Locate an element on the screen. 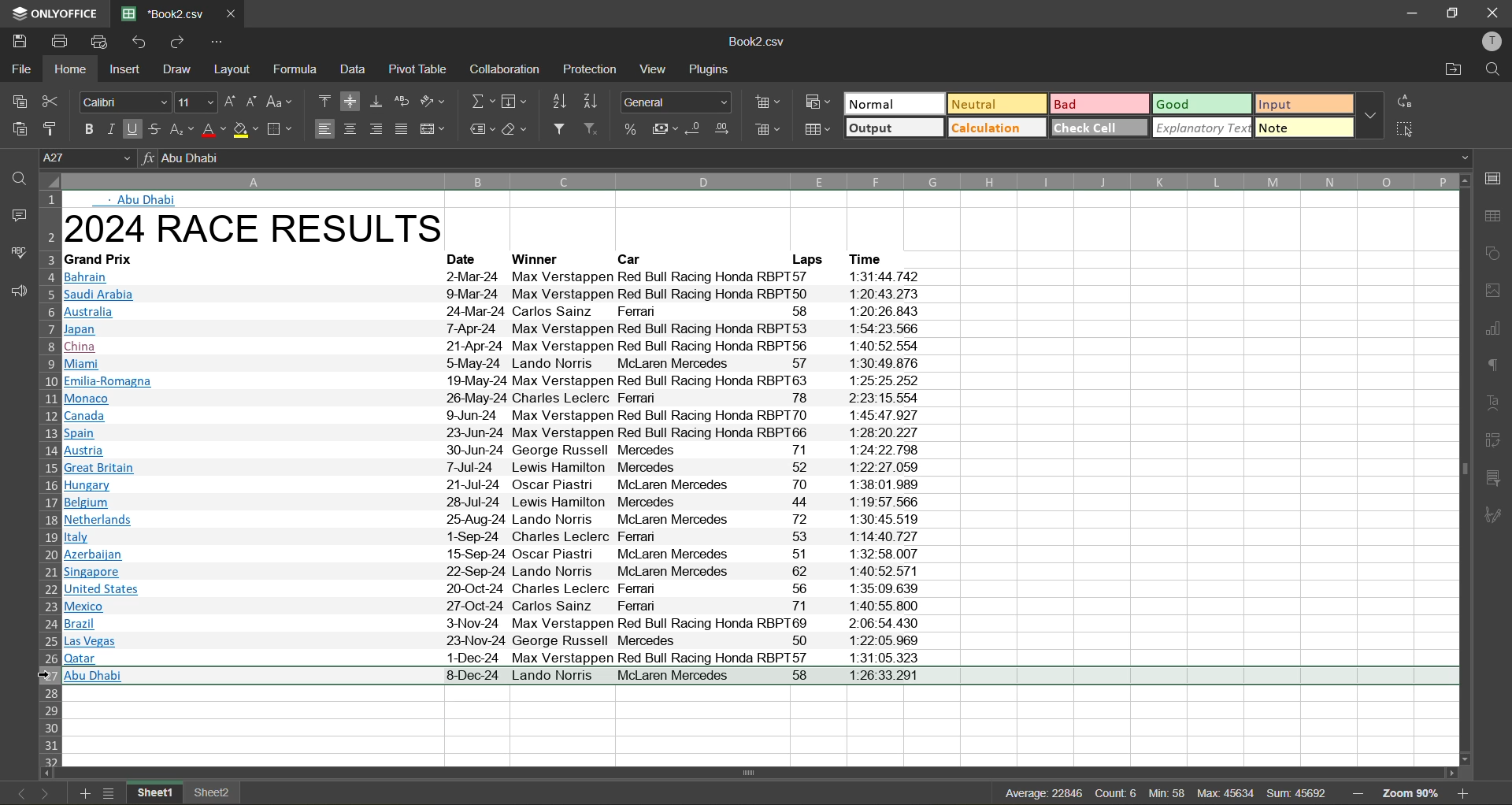 Image resolution: width=1512 pixels, height=805 pixels. spell check is located at coordinates (17, 250).